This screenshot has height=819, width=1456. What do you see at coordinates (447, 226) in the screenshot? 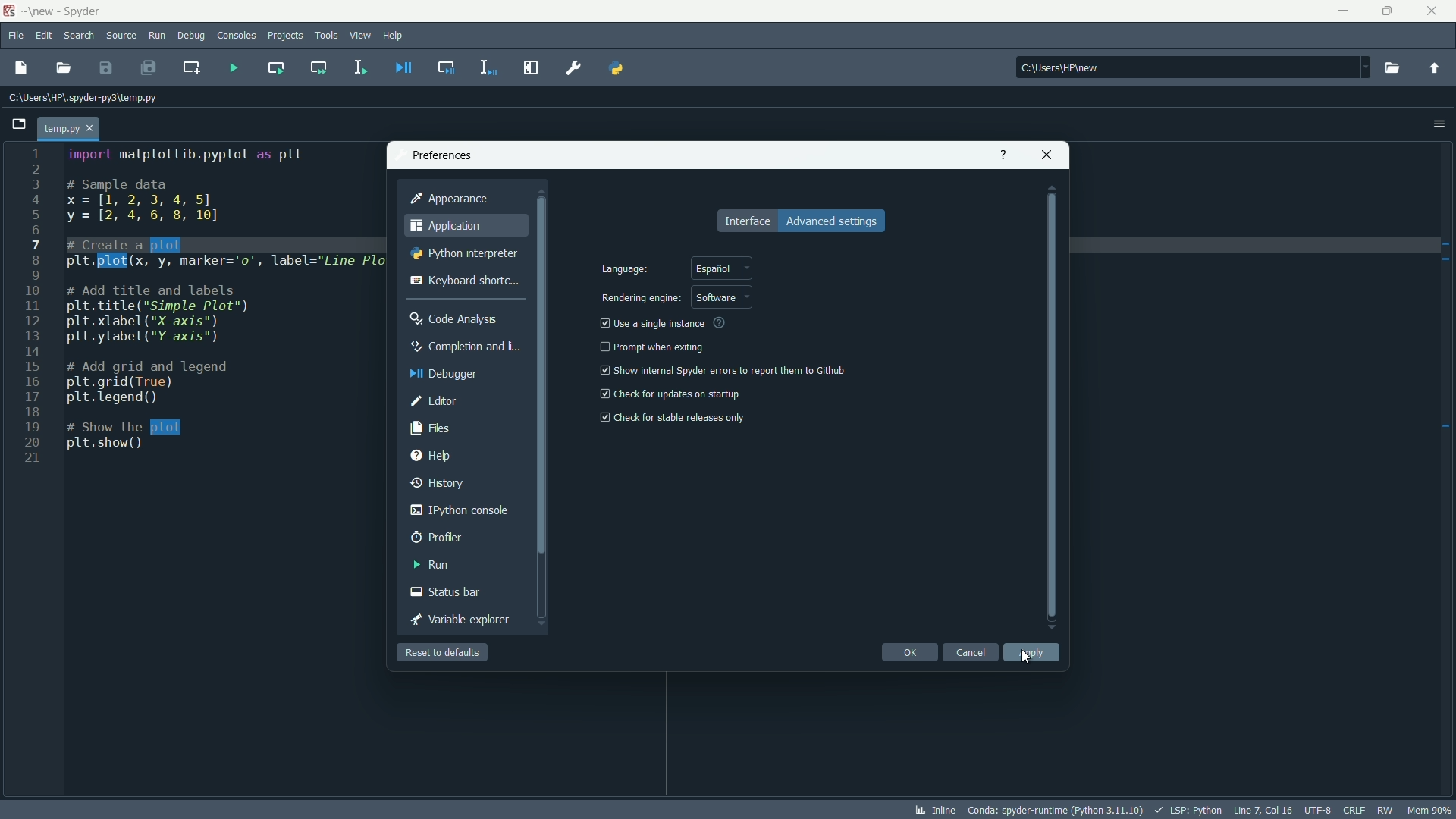
I see `application` at bounding box center [447, 226].